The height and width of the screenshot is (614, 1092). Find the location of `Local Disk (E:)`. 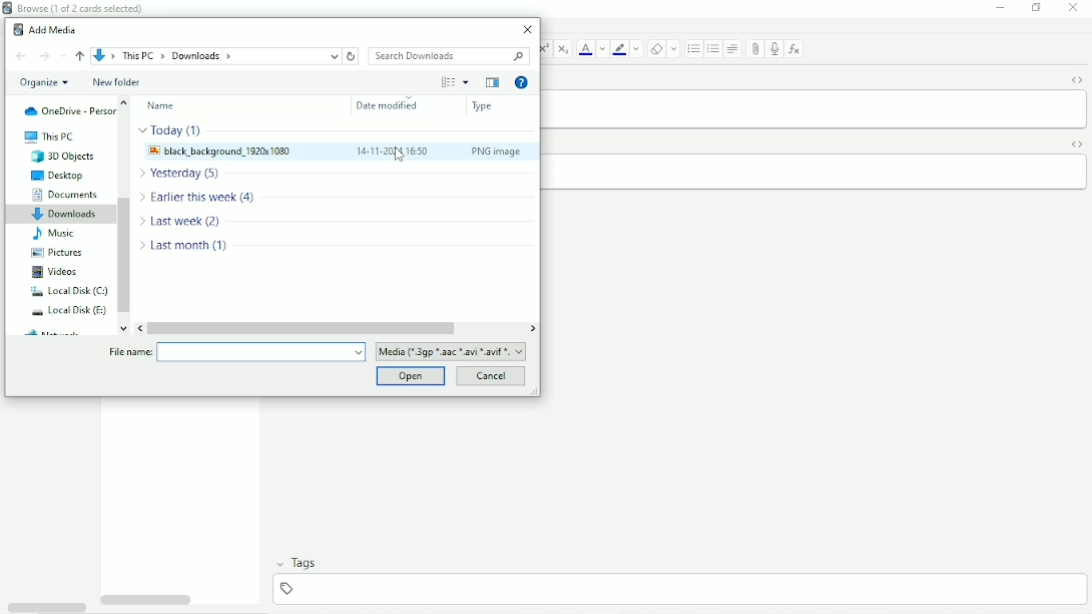

Local Disk (E:) is located at coordinates (67, 312).